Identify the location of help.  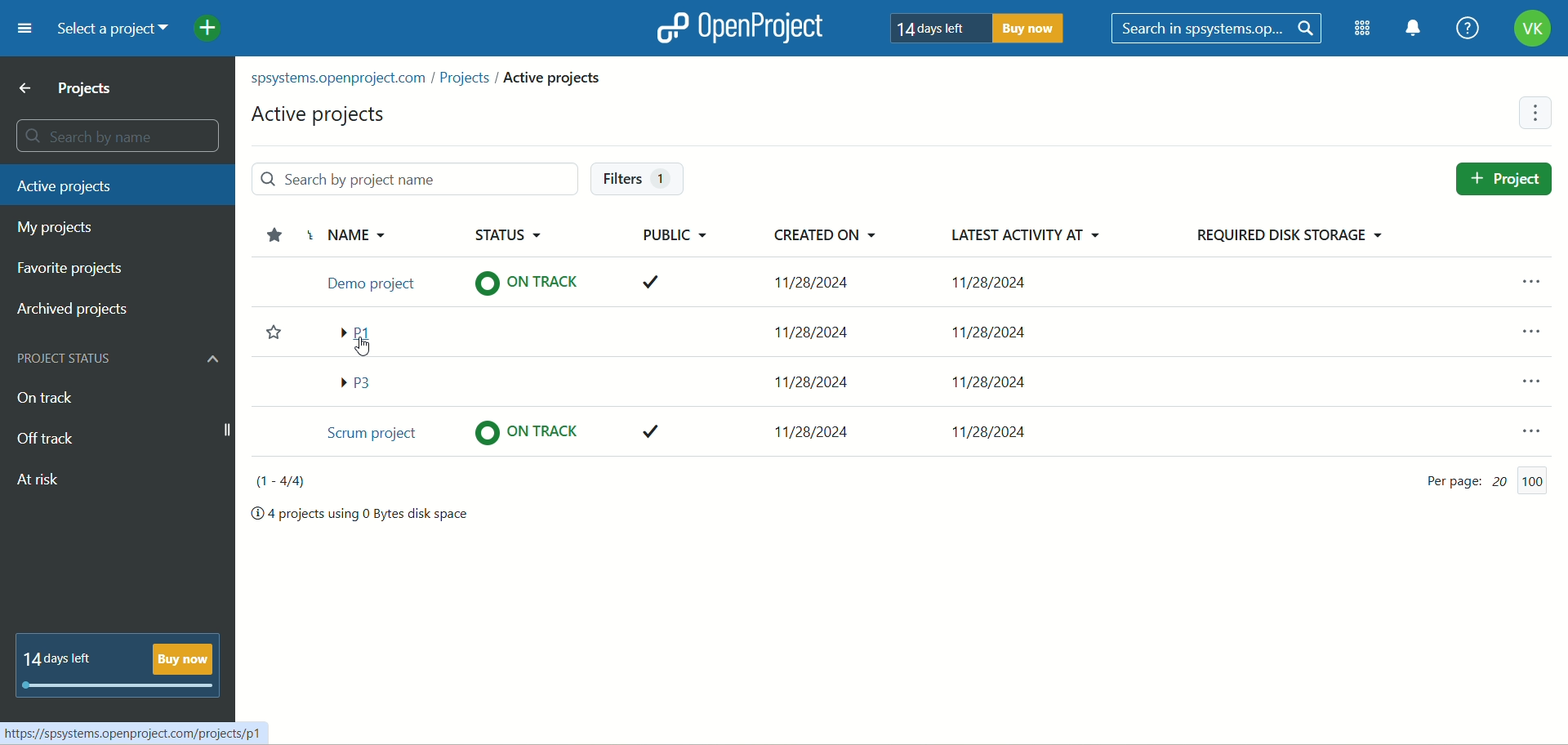
(1466, 28).